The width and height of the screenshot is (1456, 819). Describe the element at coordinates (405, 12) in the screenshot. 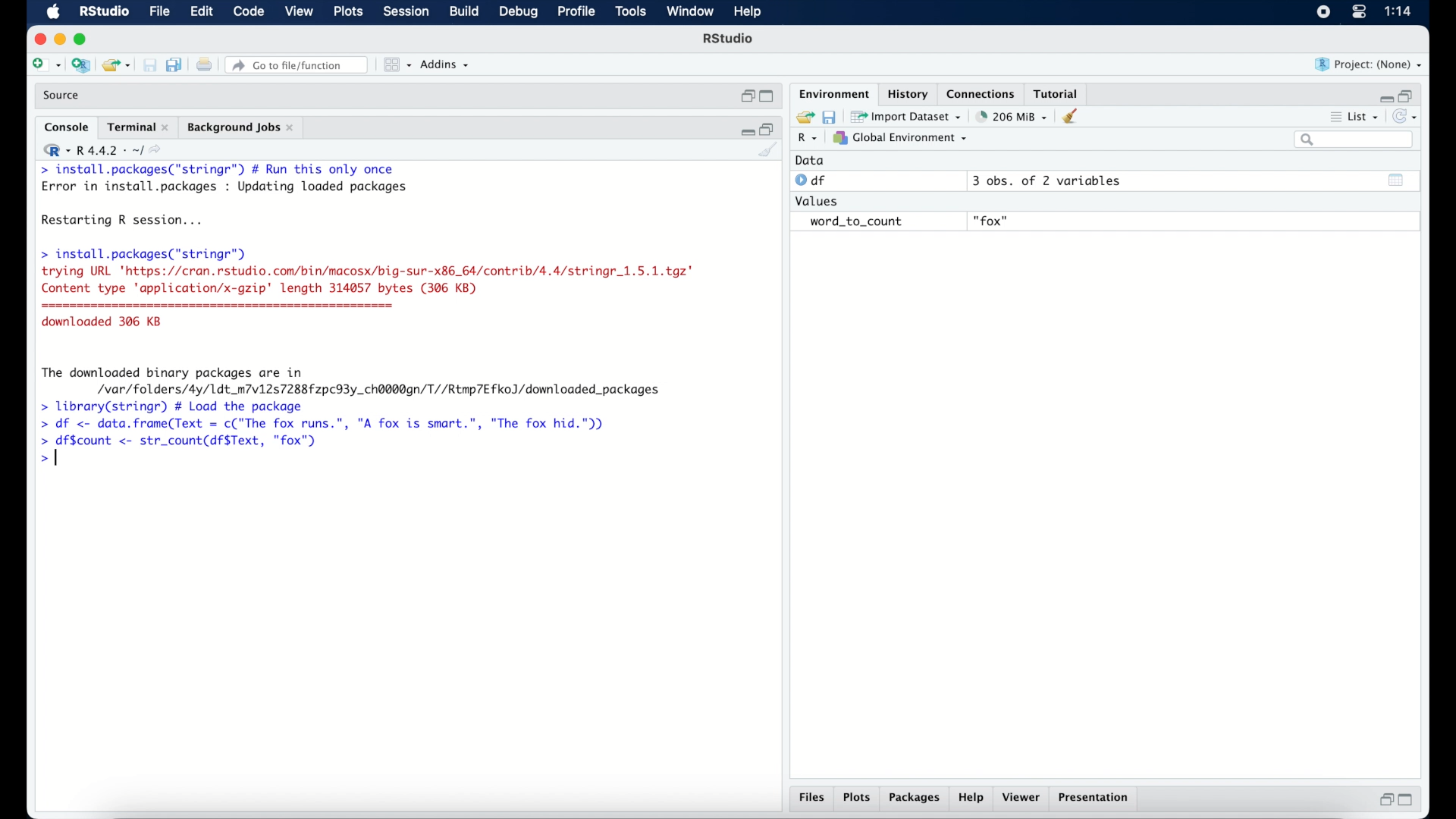

I see `session` at that location.